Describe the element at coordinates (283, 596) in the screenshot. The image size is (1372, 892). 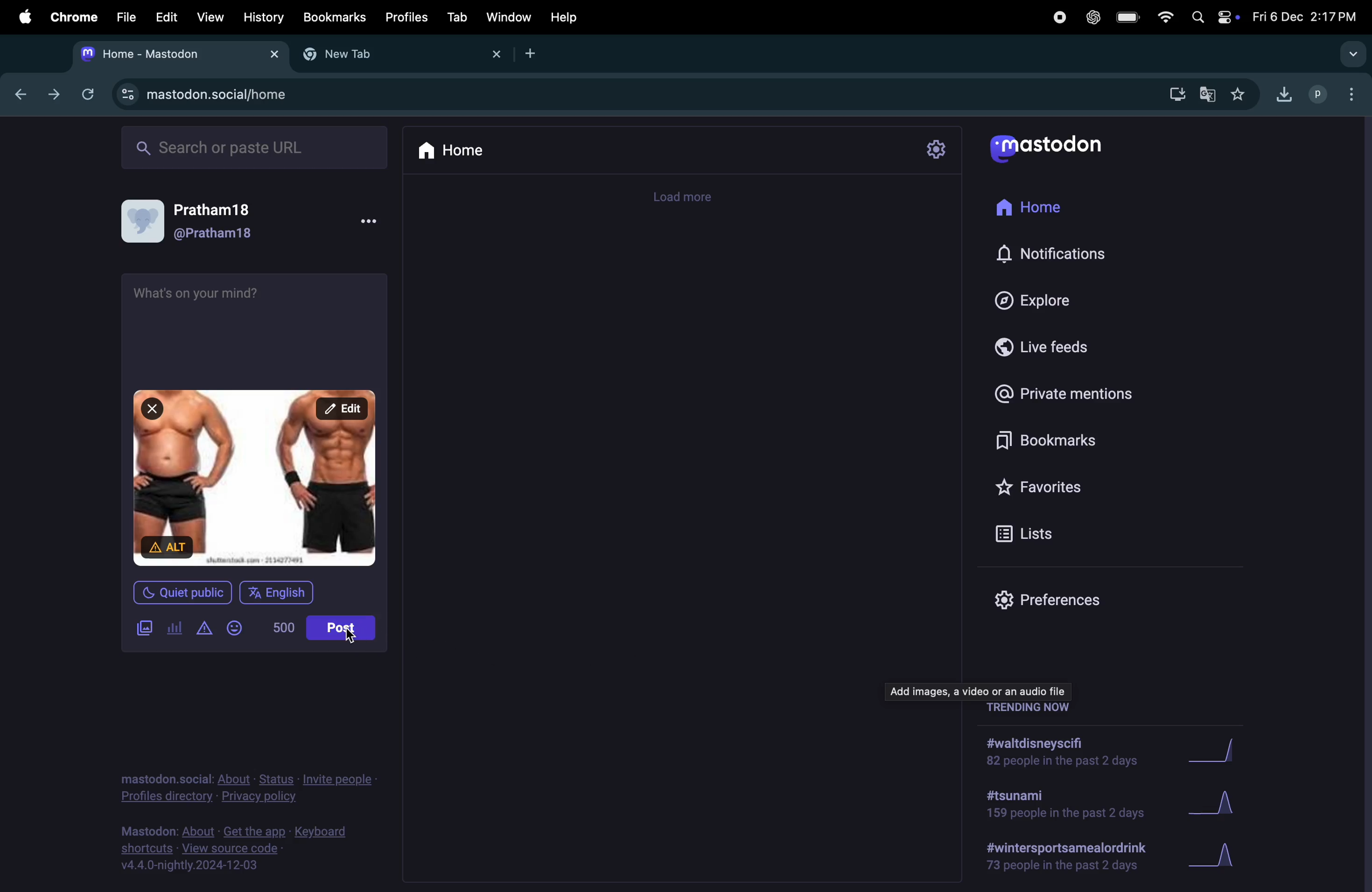
I see `English` at that location.